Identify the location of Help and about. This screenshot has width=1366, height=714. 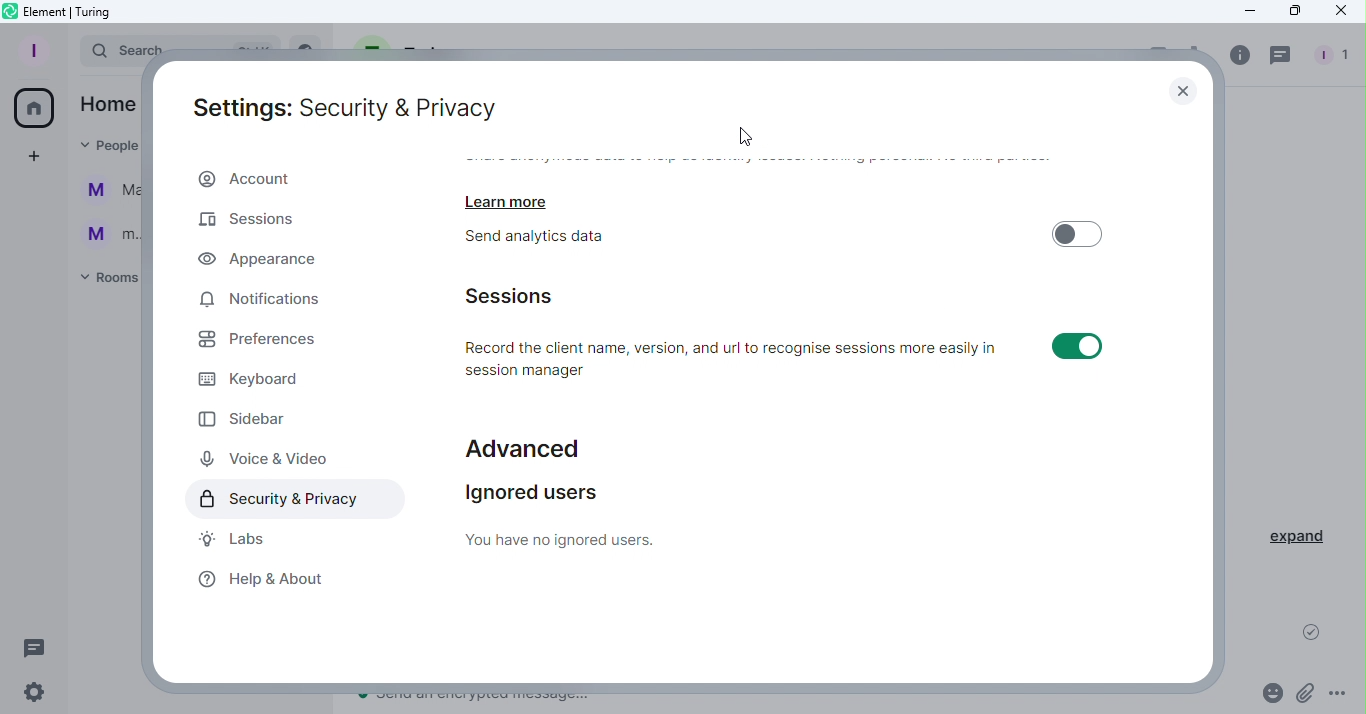
(265, 582).